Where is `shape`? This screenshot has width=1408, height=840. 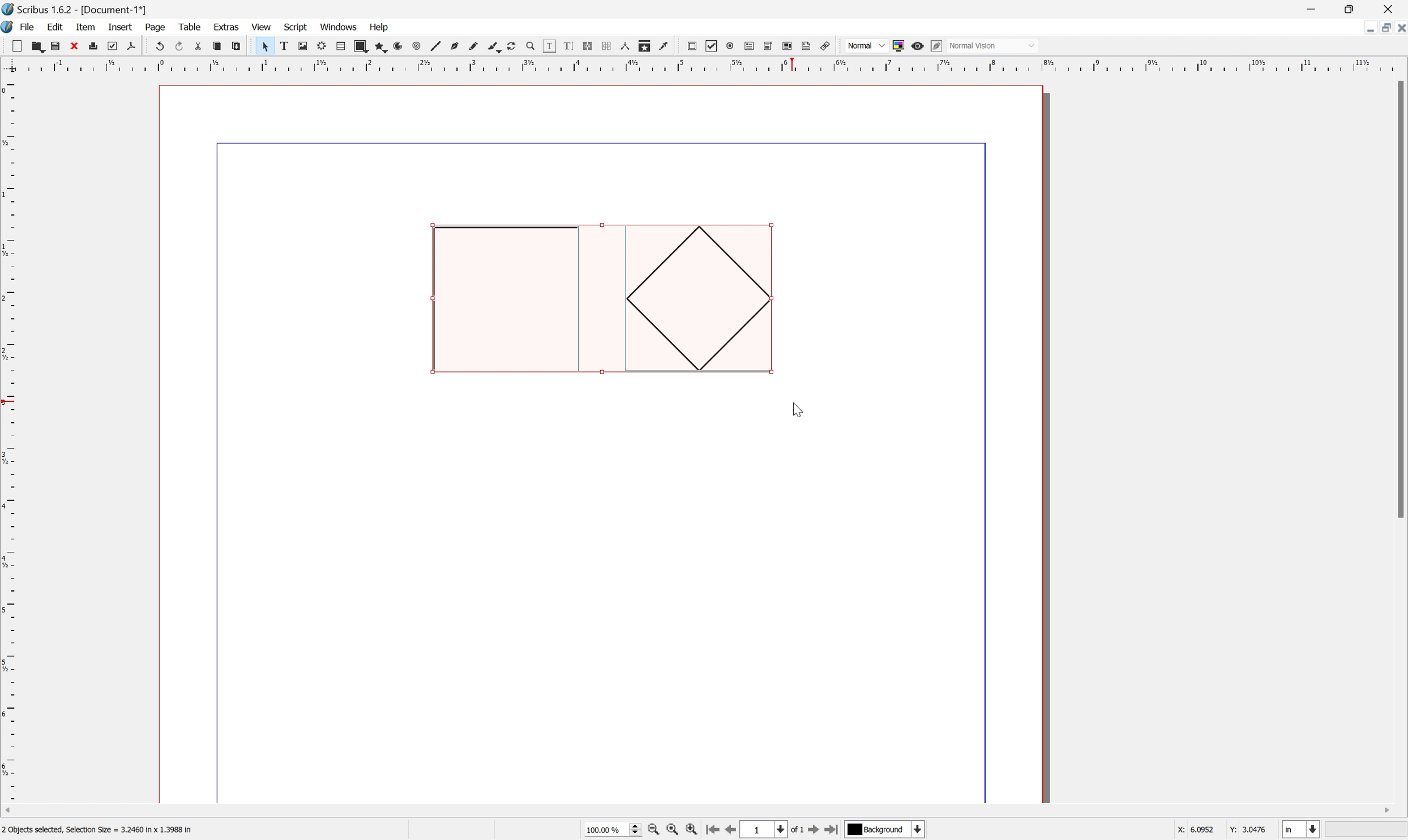
shape is located at coordinates (359, 46).